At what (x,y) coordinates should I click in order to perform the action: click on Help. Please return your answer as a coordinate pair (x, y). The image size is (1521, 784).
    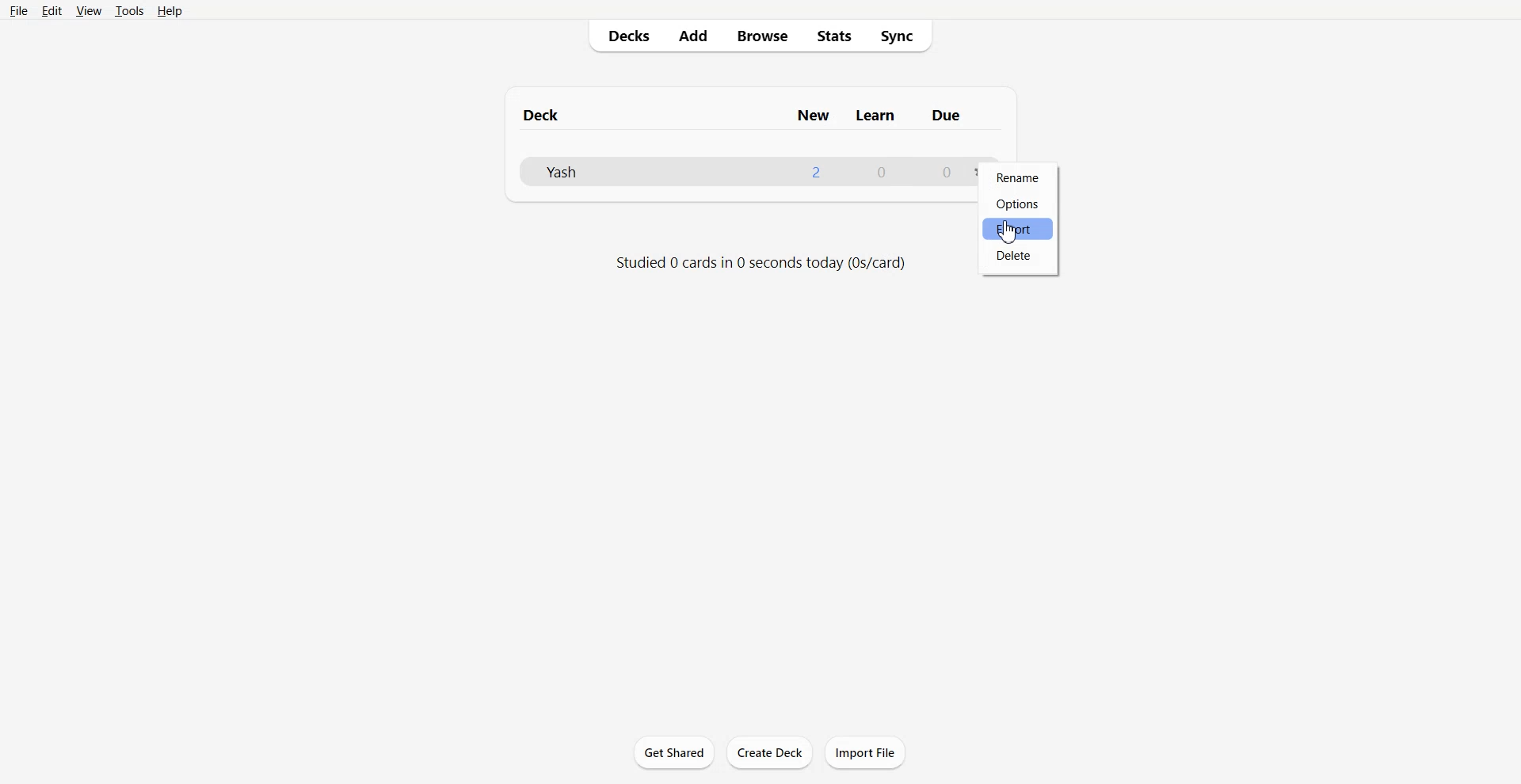
    Looking at the image, I should click on (173, 12).